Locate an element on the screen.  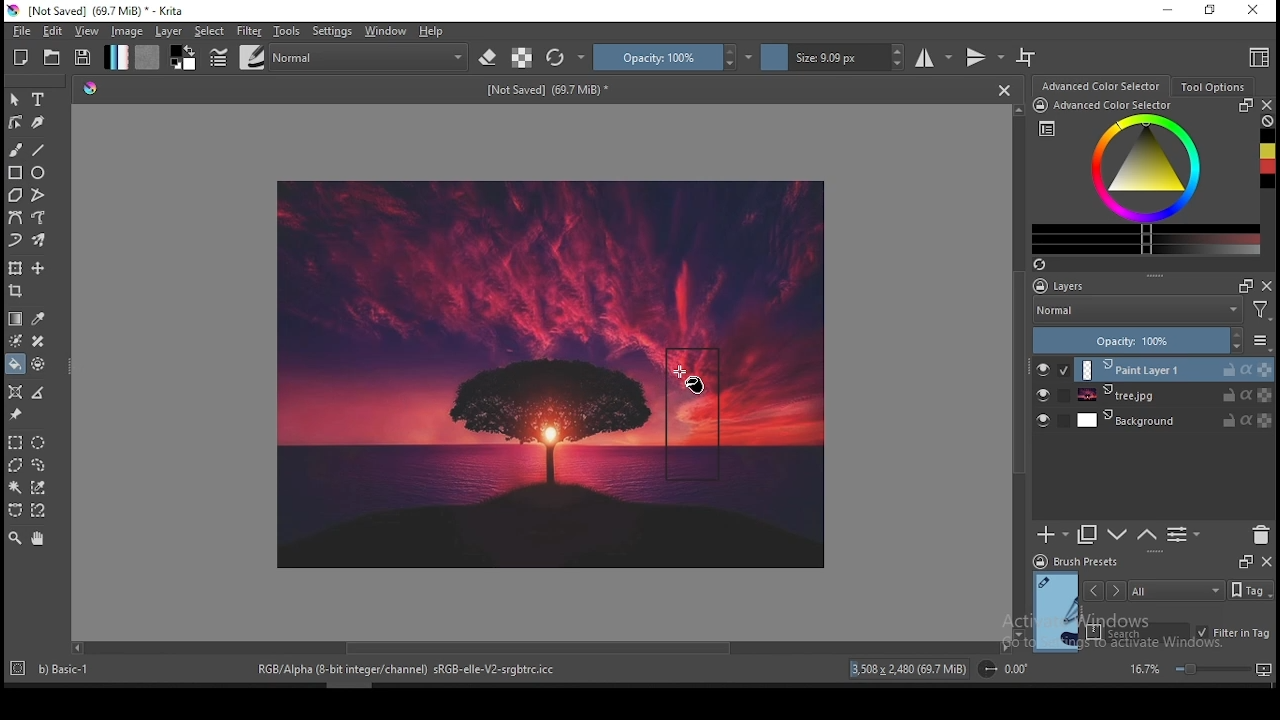
paint bucket tool is located at coordinates (17, 365).